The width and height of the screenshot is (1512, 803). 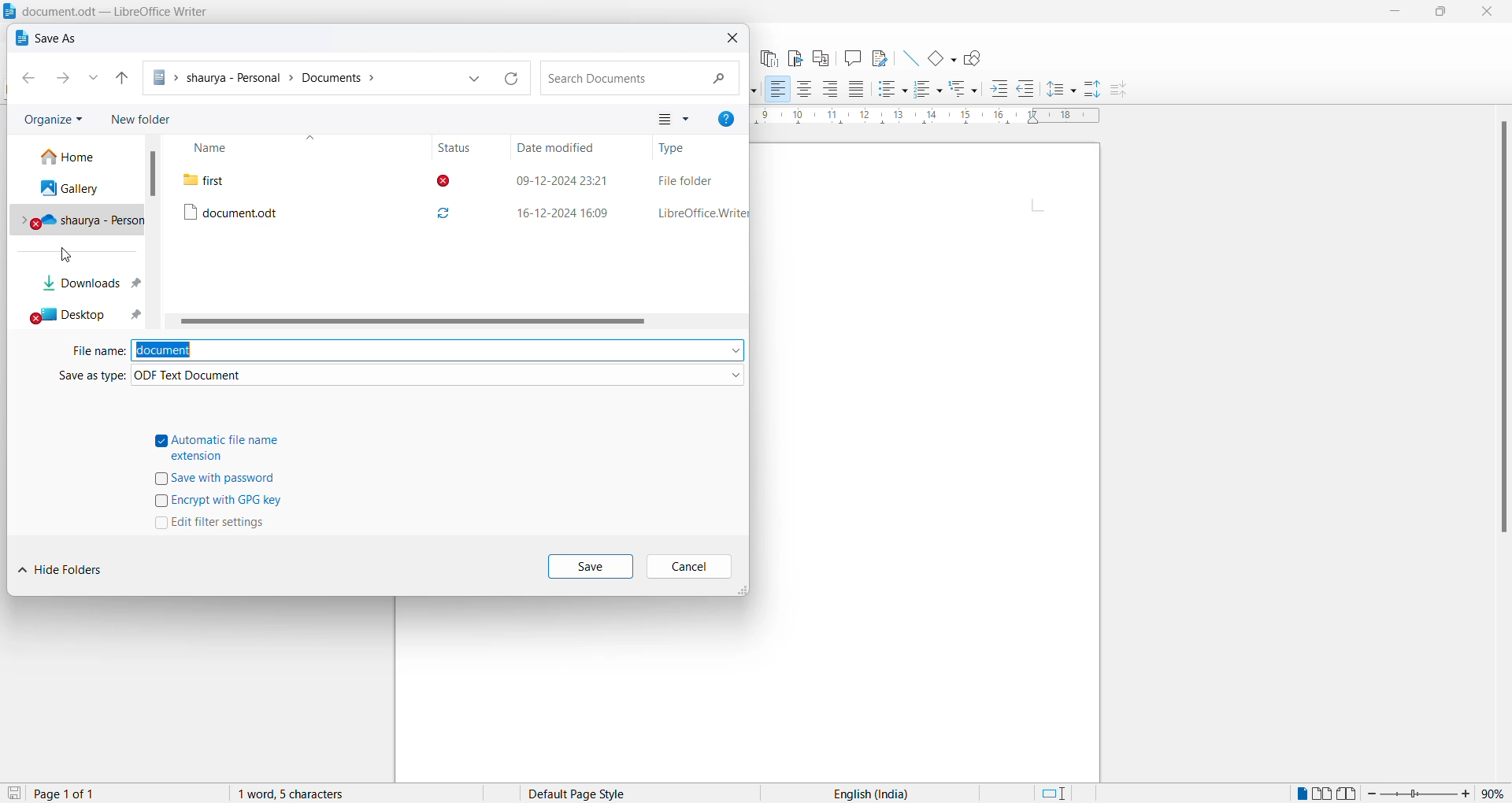 I want to click on encrypt with GPG key options, so click(x=218, y=502).